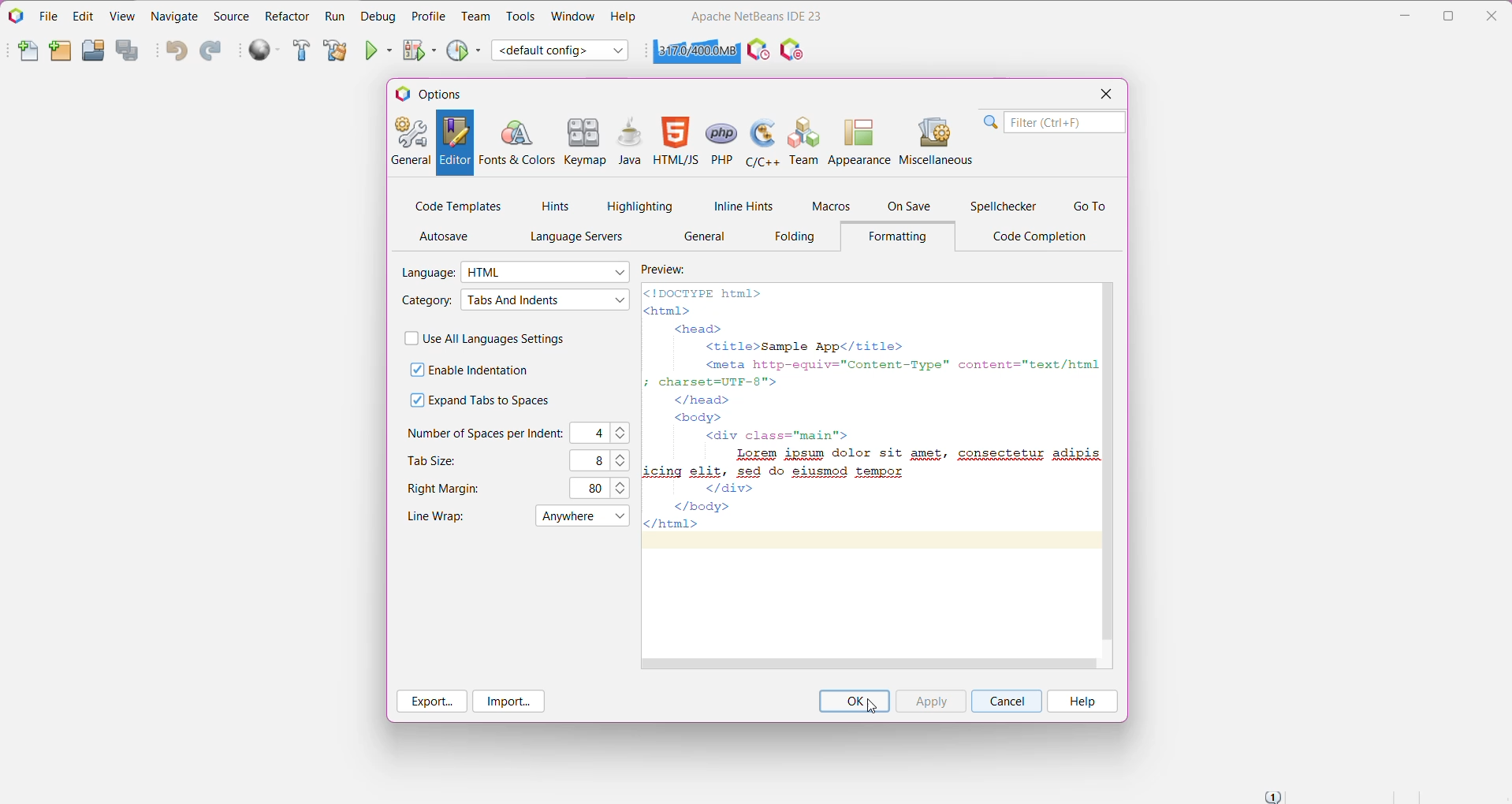 The image size is (1512, 804). I want to click on 80, so click(593, 488).